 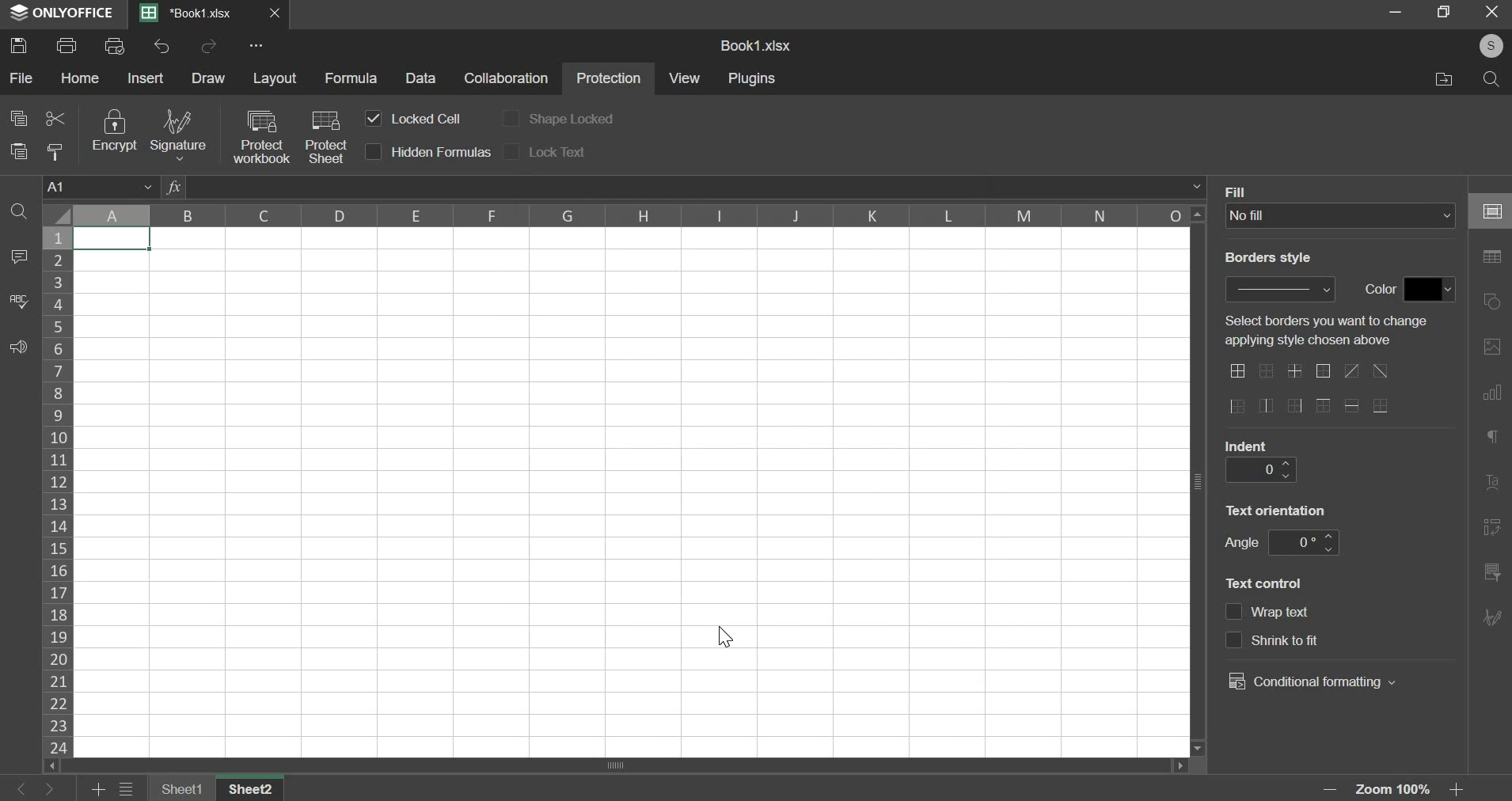 What do you see at coordinates (1382, 371) in the screenshot?
I see `border options` at bounding box center [1382, 371].